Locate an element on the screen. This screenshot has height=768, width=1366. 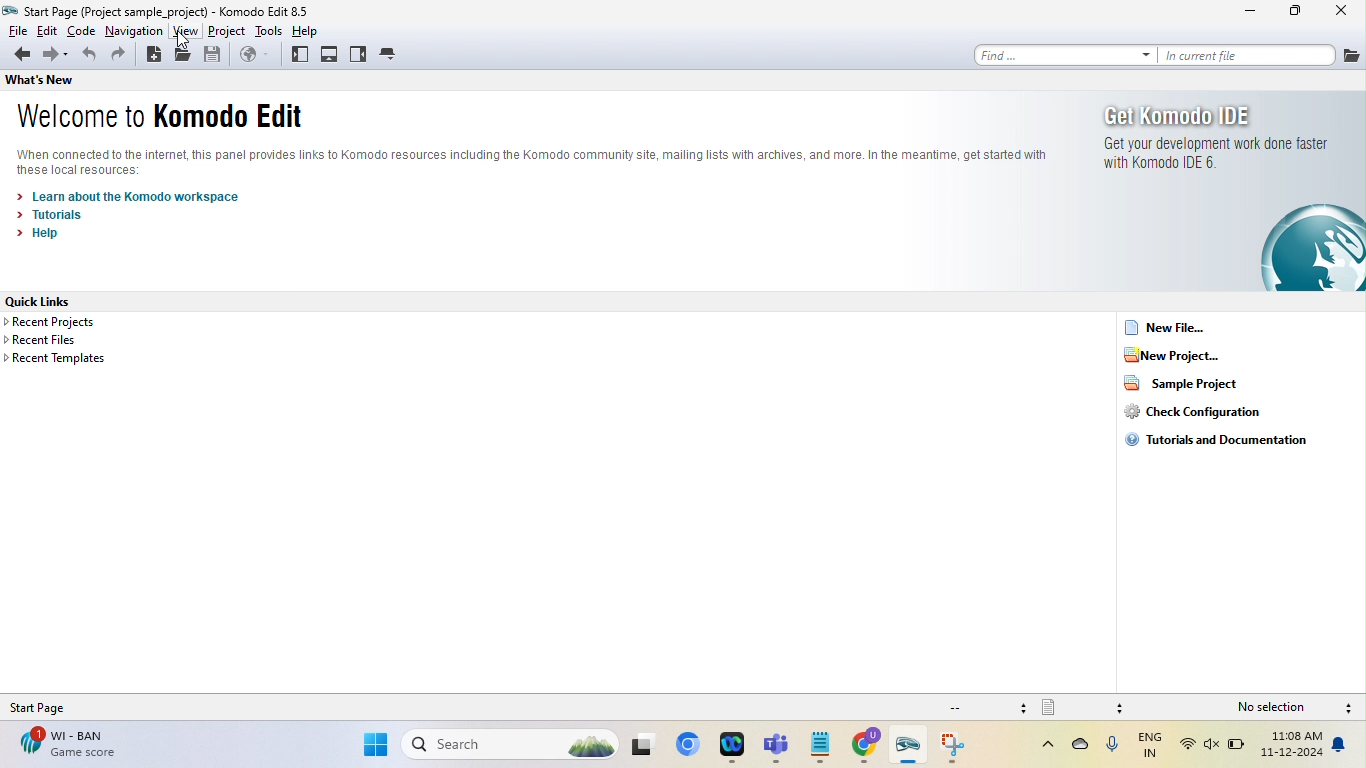
syntax checking is located at coordinates (1349, 709).